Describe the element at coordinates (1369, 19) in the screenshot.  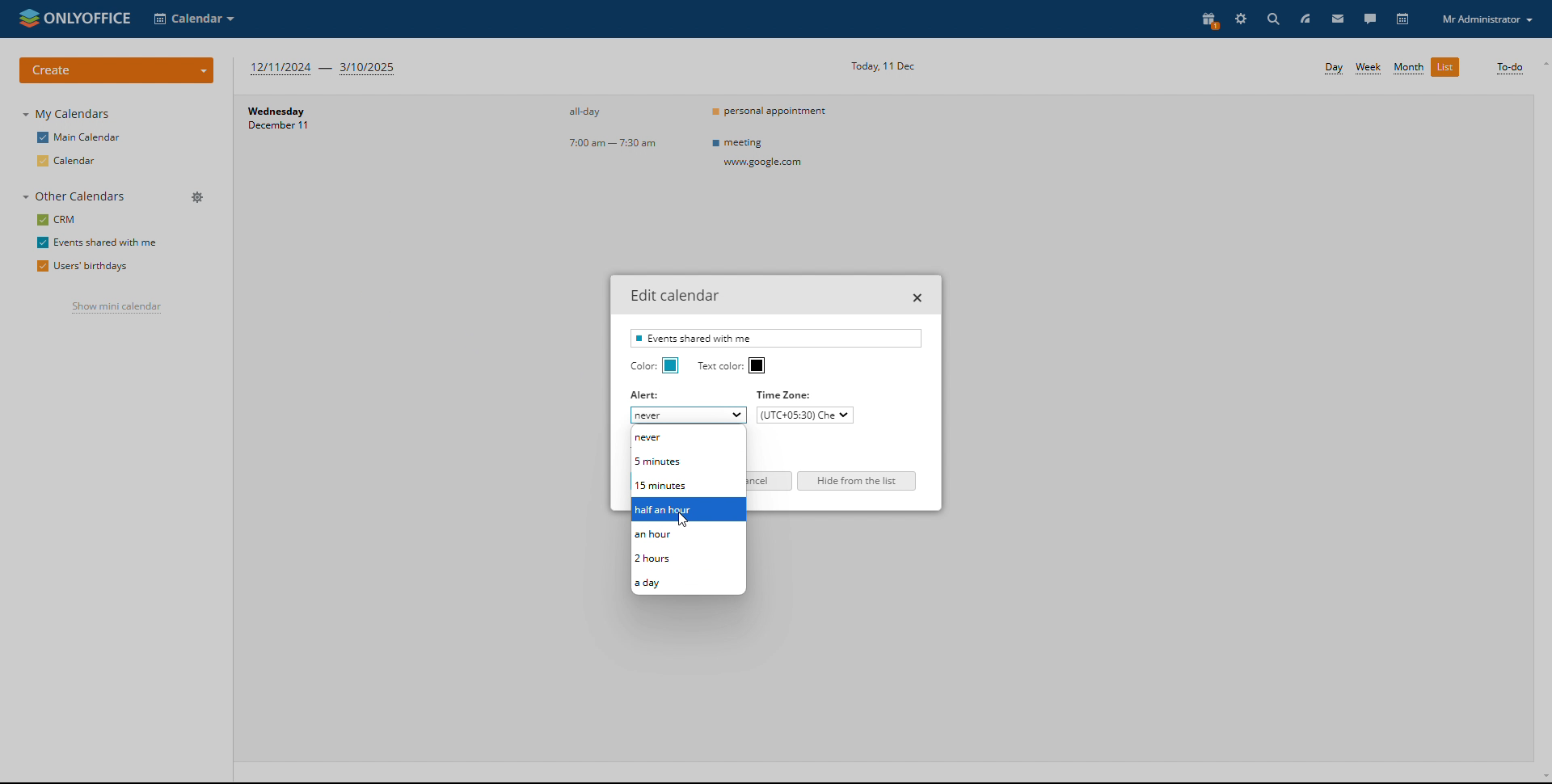
I see `talk` at that location.